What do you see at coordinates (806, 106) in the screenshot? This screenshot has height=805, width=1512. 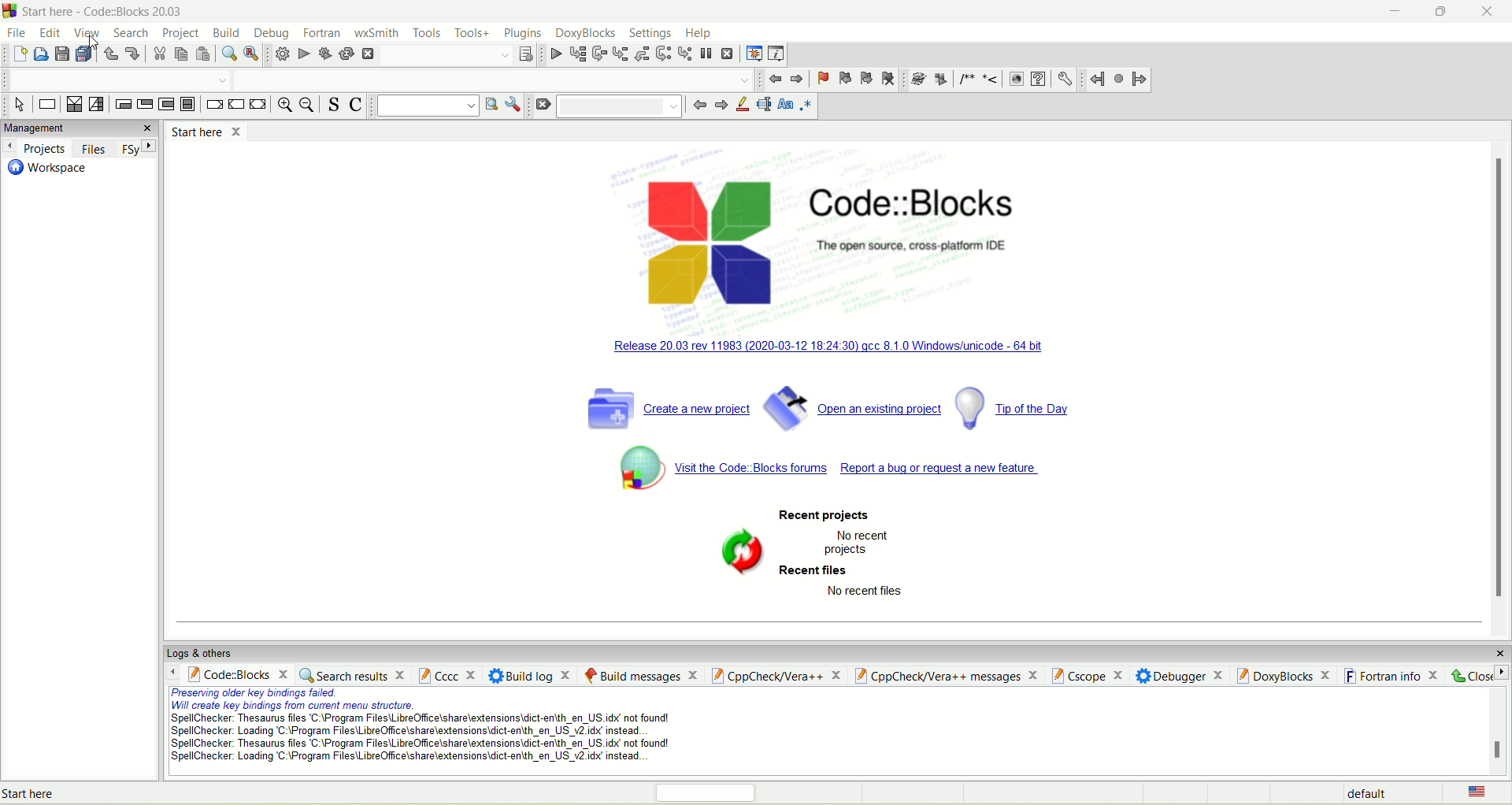 I see `regex` at bounding box center [806, 106].